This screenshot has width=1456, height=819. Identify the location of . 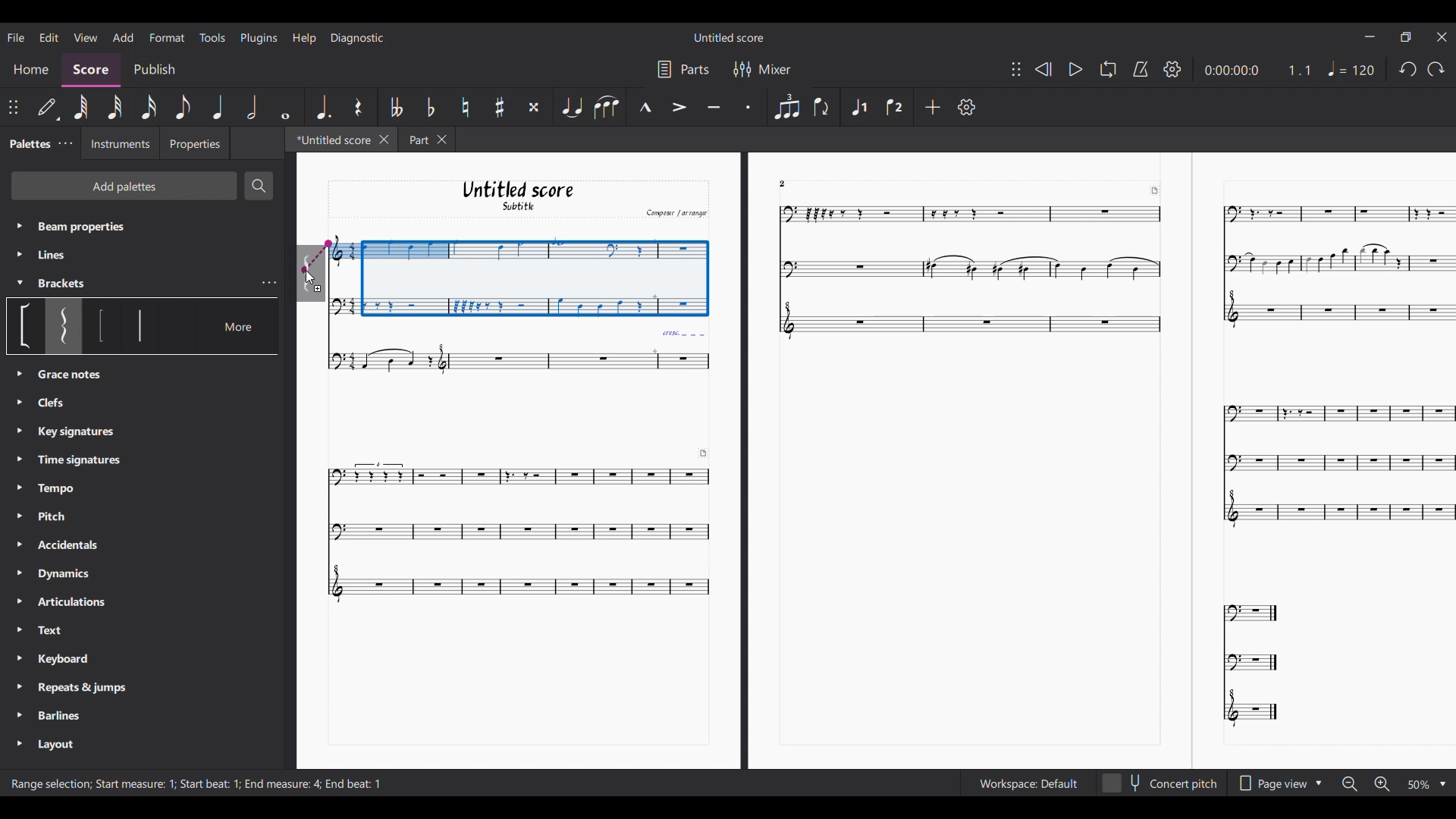
(20, 715).